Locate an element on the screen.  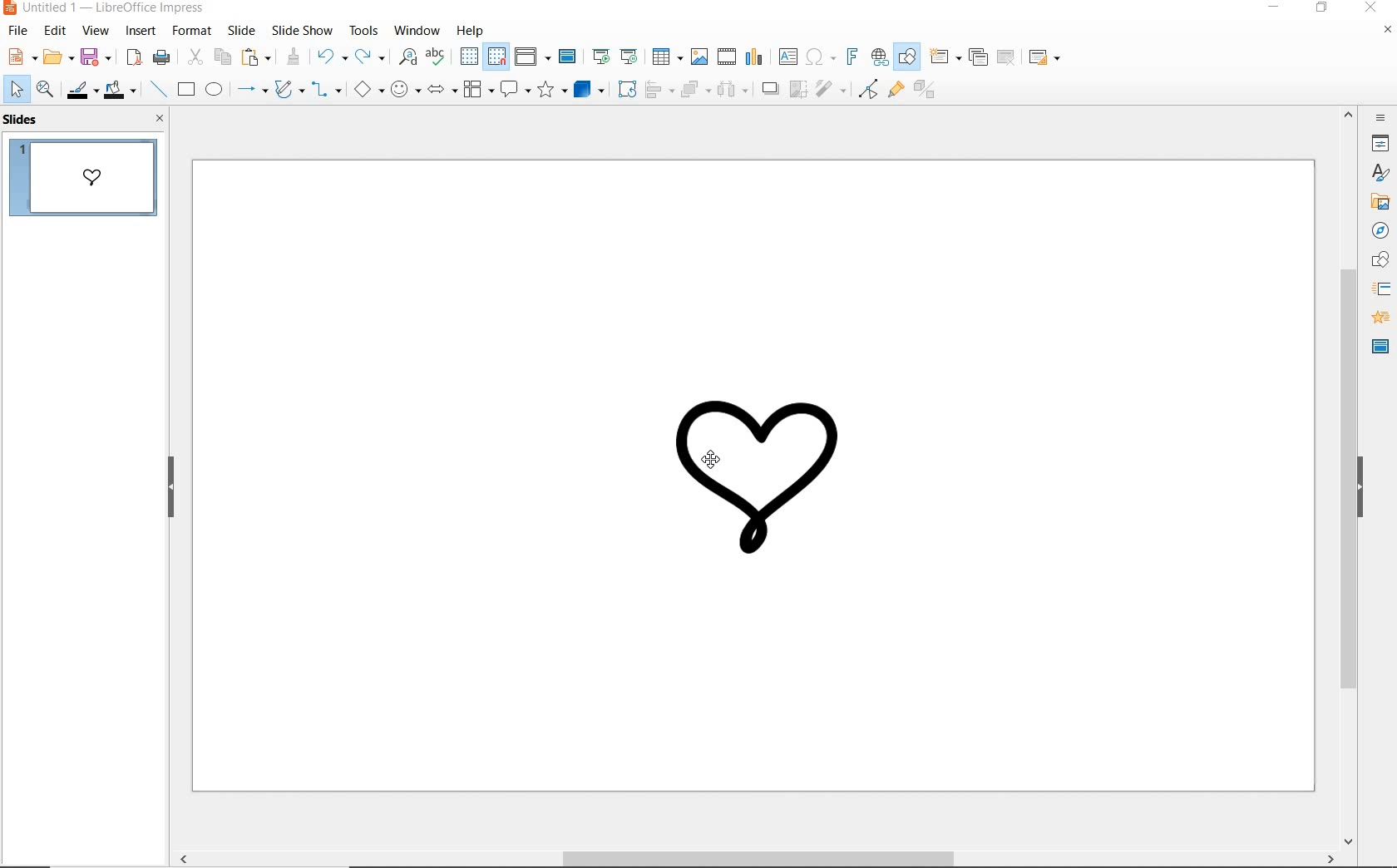
STYLES is located at coordinates (1380, 174).